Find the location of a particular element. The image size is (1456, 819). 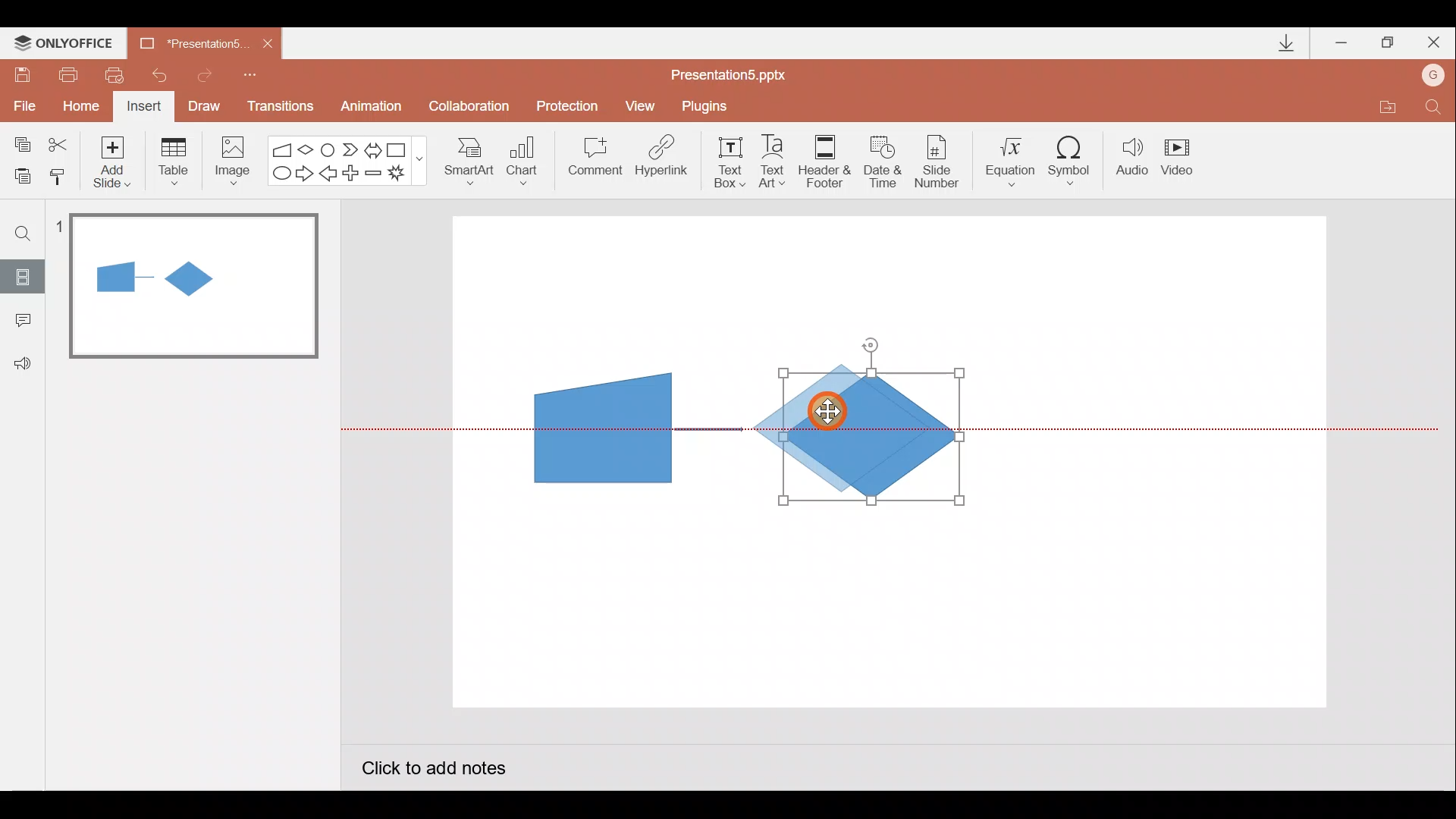

Table is located at coordinates (172, 160).